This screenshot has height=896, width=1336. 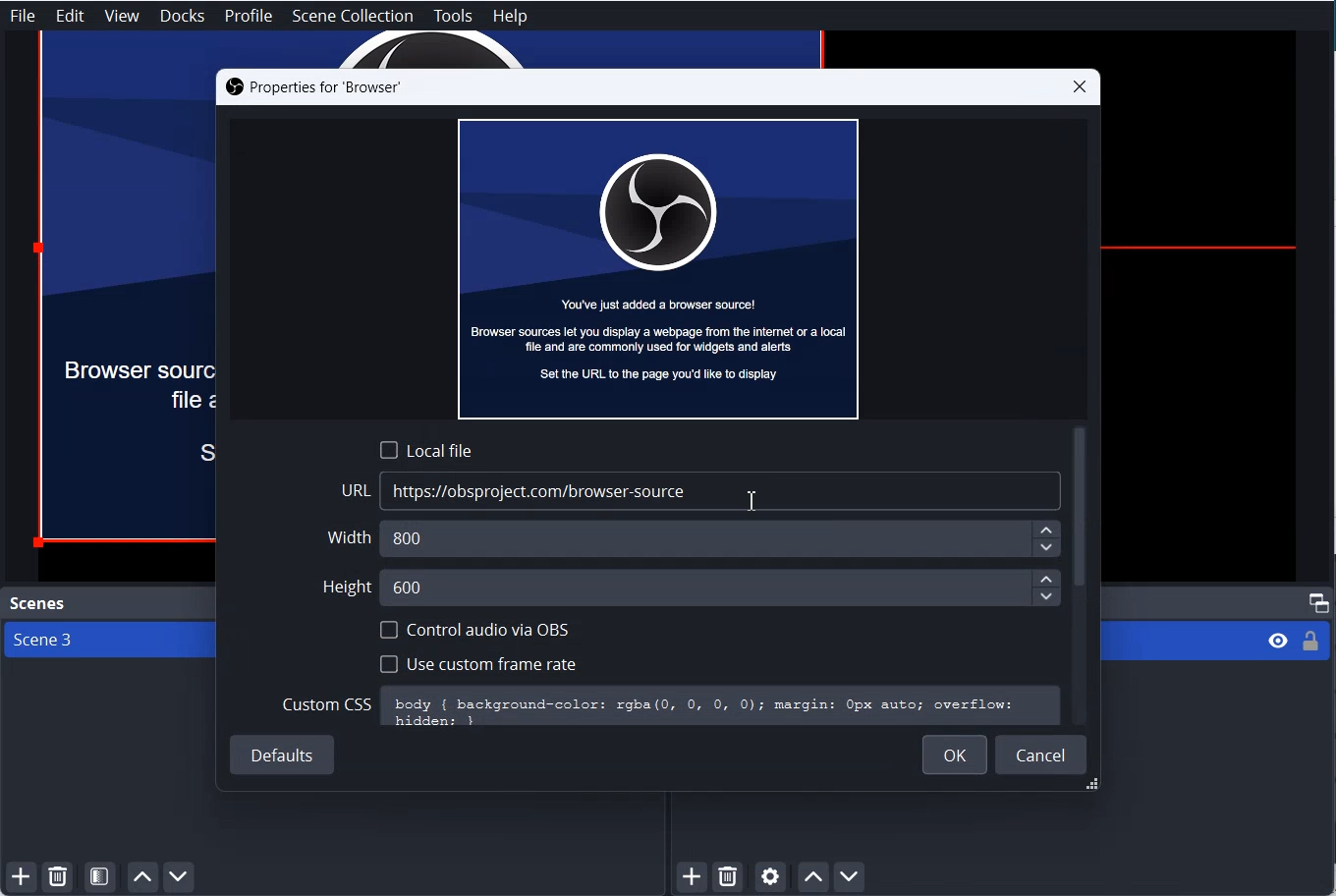 I want to click on Enter URL, so click(x=701, y=491).